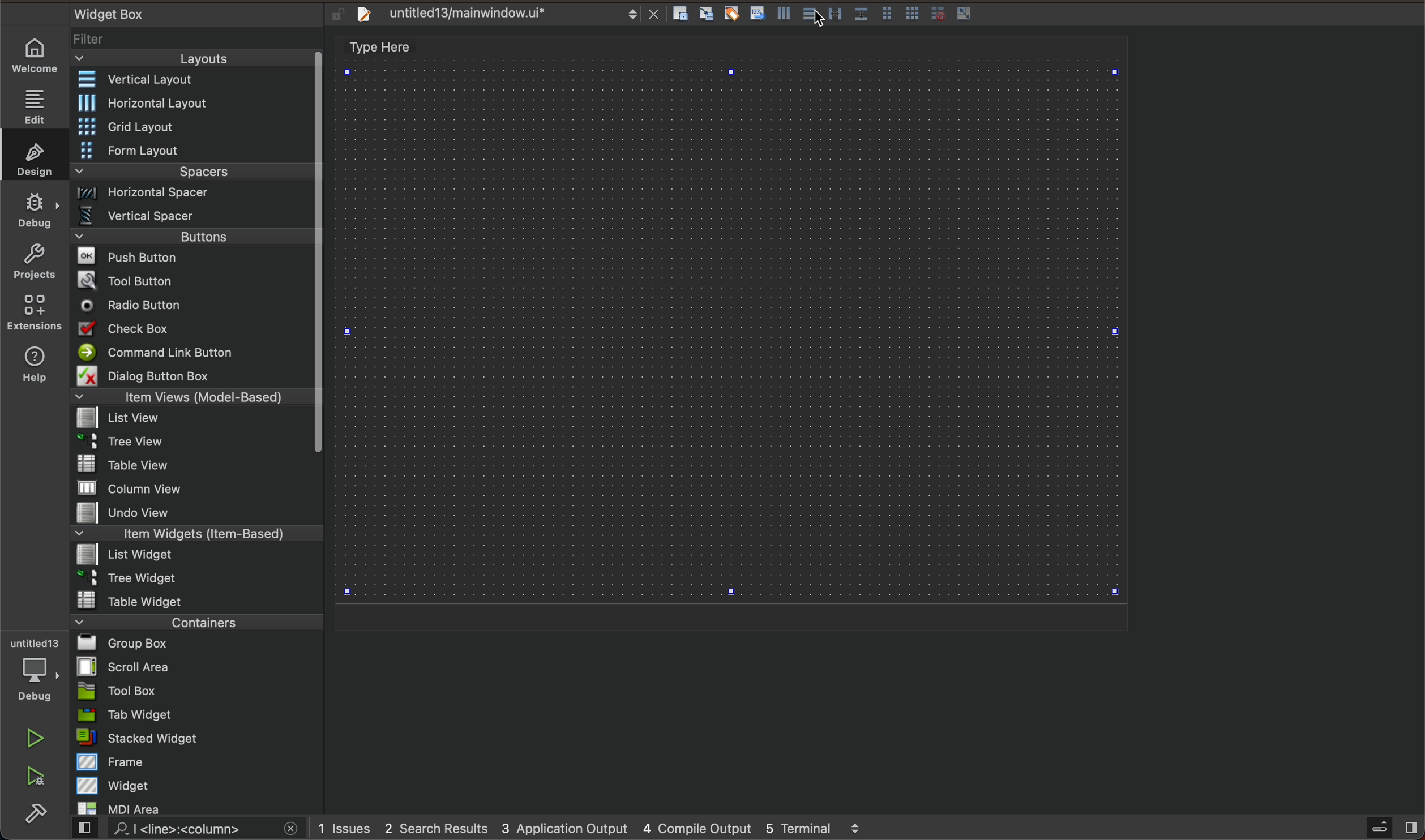 The image size is (1425, 840). I want to click on , so click(914, 14).